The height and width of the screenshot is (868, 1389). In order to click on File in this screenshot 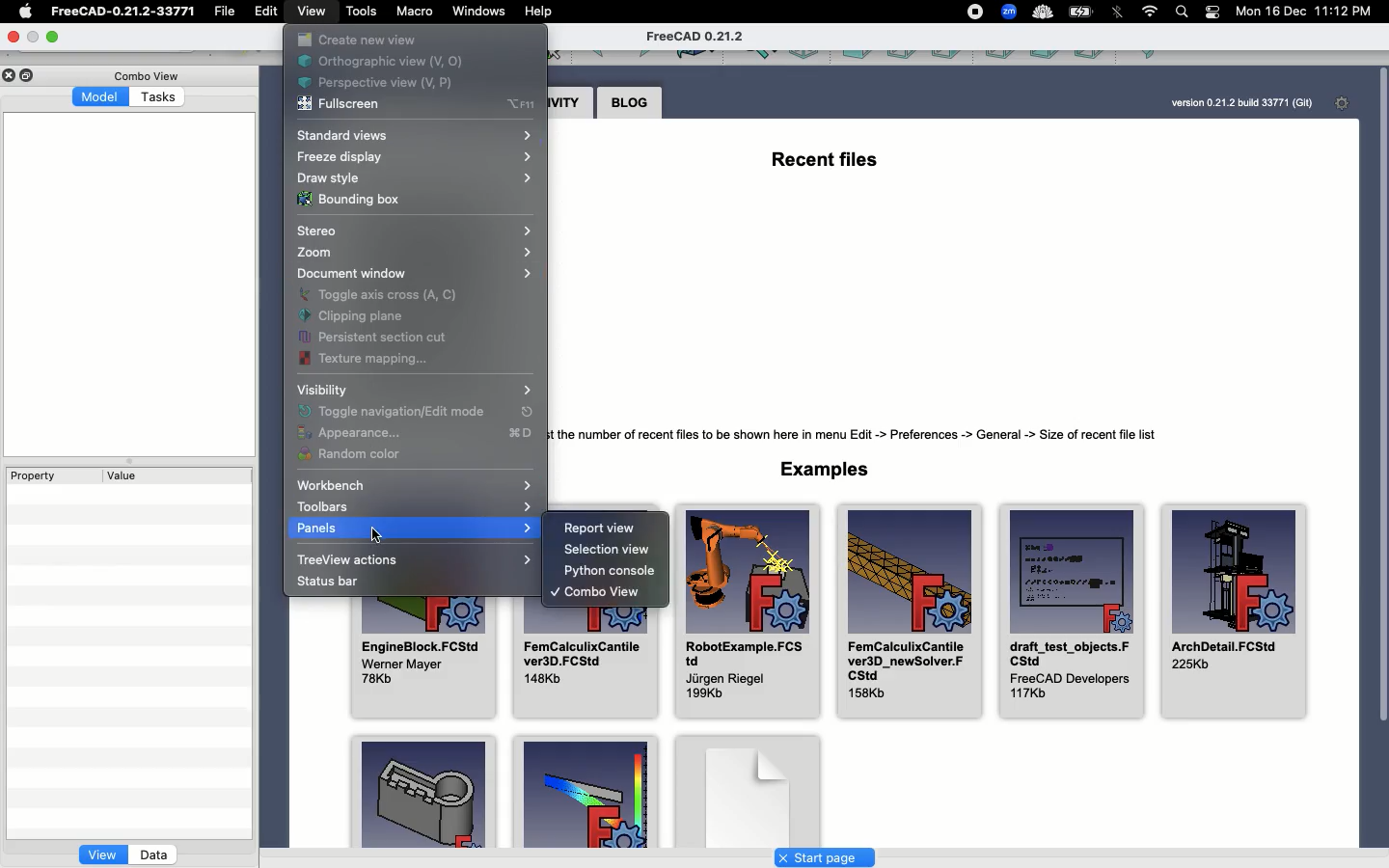, I will do `click(229, 12)`.